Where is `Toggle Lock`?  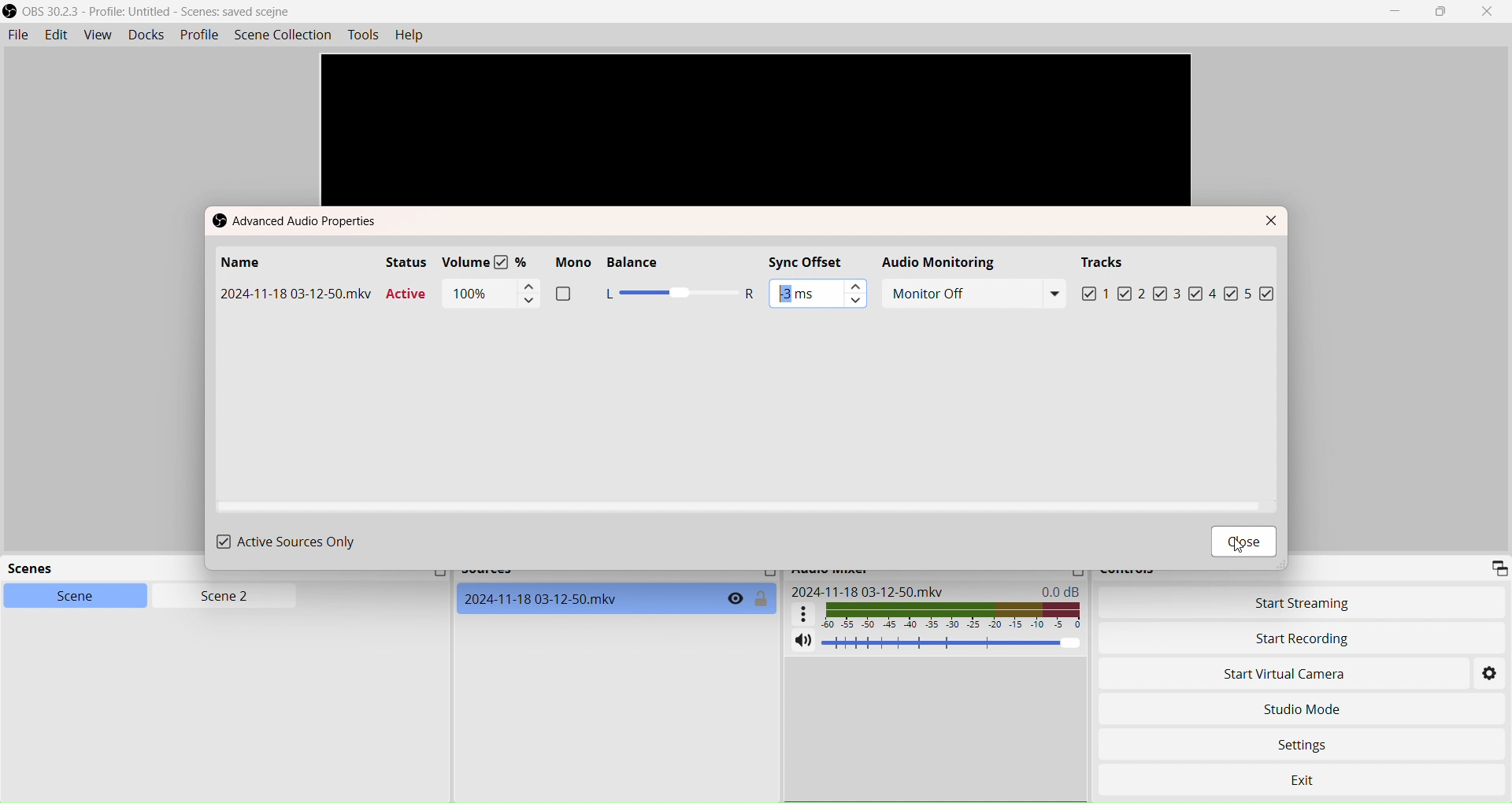 Toggle Lock is located at coordinates (762, 599).